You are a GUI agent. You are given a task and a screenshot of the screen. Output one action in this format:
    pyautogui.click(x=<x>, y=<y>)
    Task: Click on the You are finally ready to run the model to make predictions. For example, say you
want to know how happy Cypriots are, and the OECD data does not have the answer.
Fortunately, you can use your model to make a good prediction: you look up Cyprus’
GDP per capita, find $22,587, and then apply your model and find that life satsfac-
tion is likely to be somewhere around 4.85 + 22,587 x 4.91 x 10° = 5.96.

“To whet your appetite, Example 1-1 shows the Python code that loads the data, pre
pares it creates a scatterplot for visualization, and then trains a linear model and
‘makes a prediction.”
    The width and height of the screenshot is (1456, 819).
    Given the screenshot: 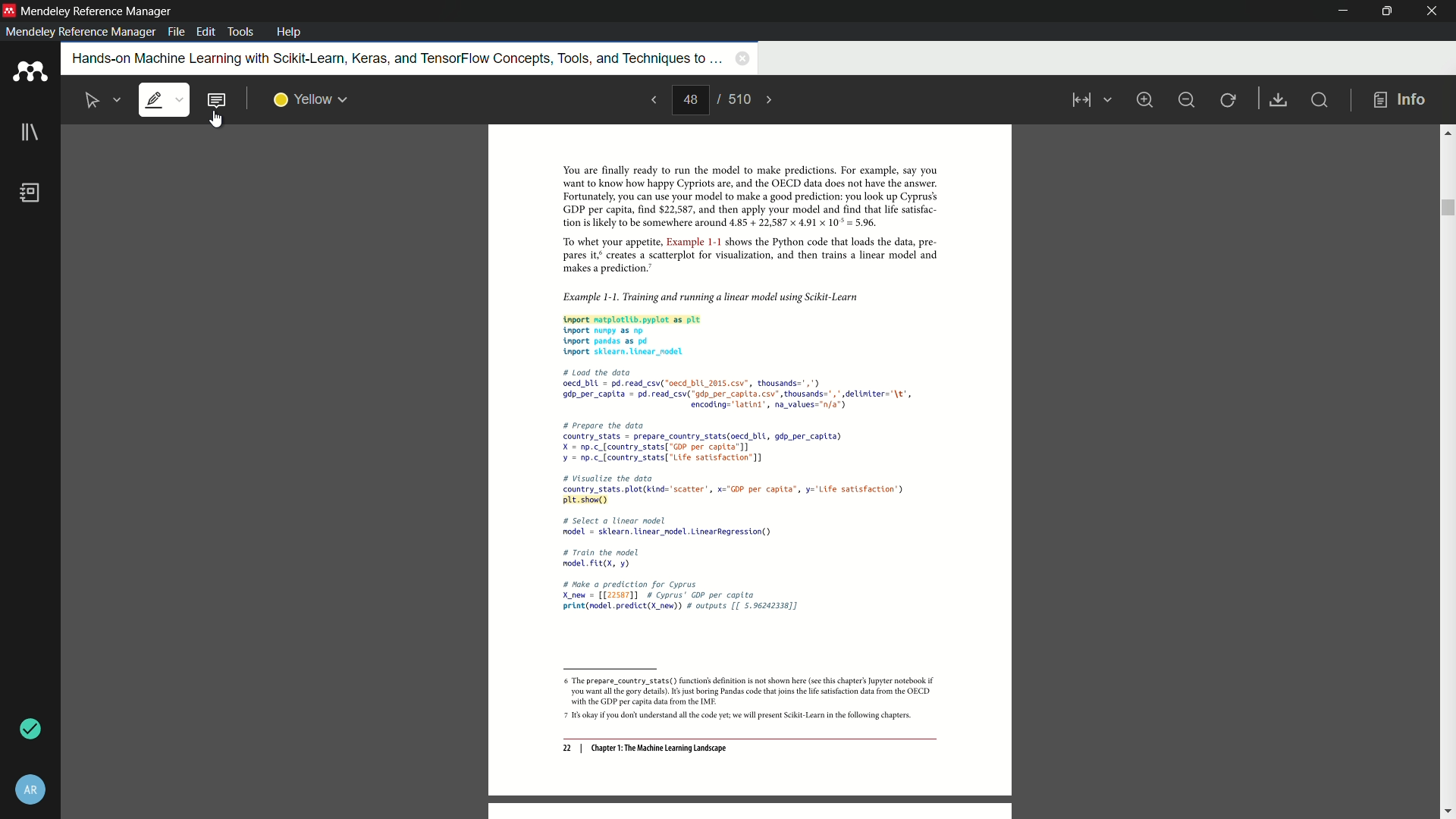 What is the action you would take?
    pyautogui.click(x=741, y=220)
    